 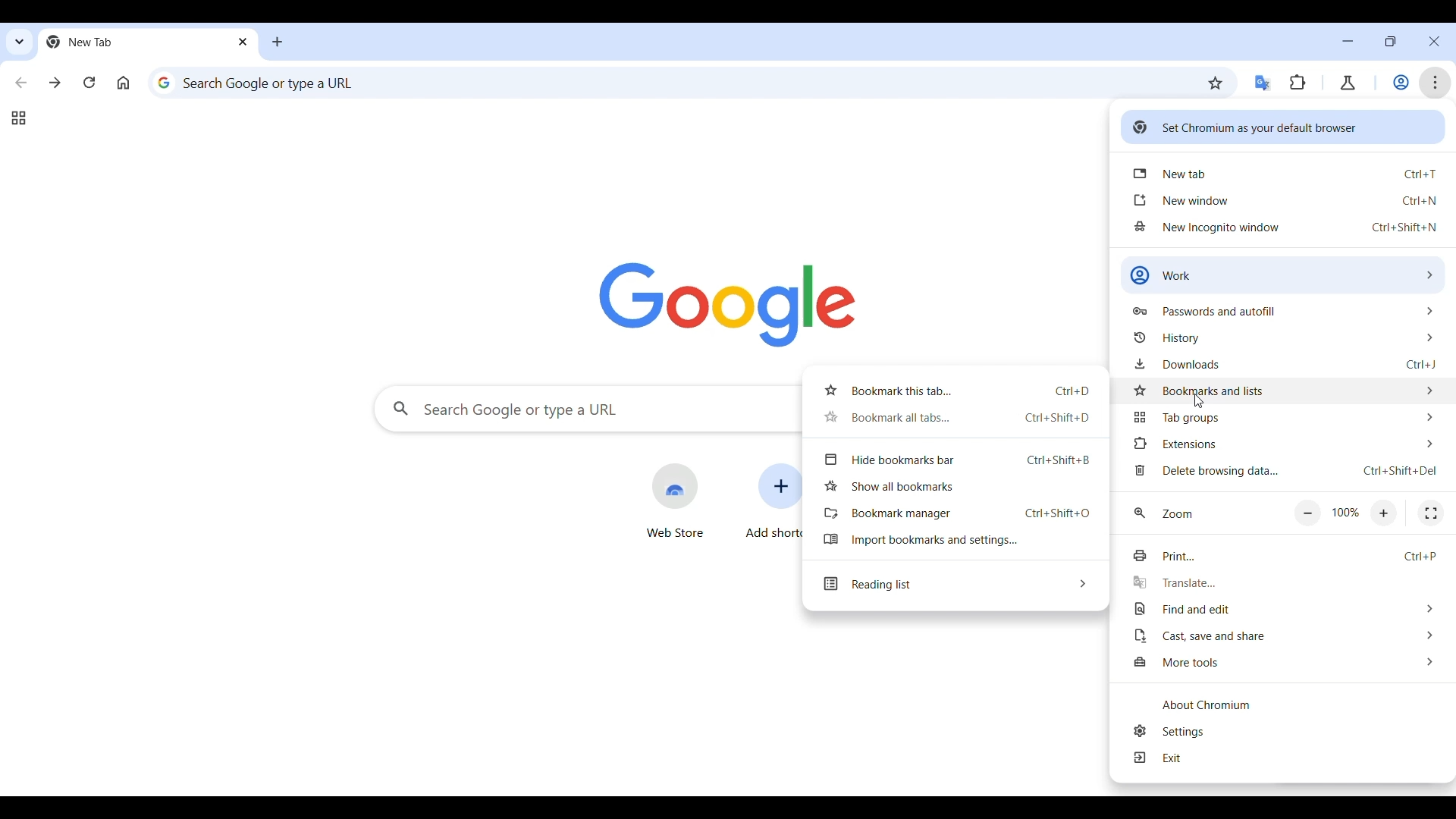 I want to click on Extensions, so click(x=1298, y=83).